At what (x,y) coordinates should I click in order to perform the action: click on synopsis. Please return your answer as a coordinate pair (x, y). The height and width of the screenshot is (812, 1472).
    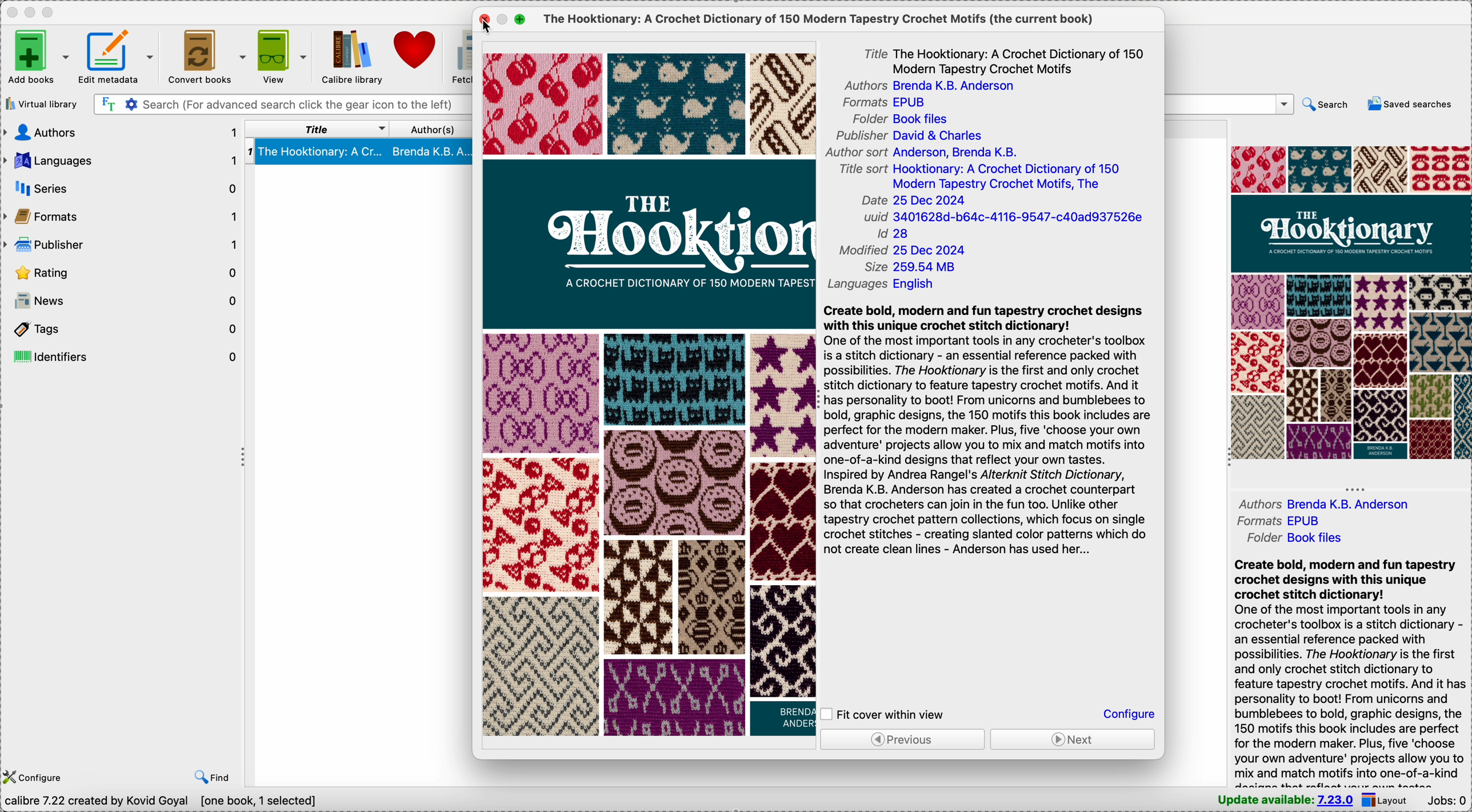
    Looking at the image, I should click on (1351, 672).